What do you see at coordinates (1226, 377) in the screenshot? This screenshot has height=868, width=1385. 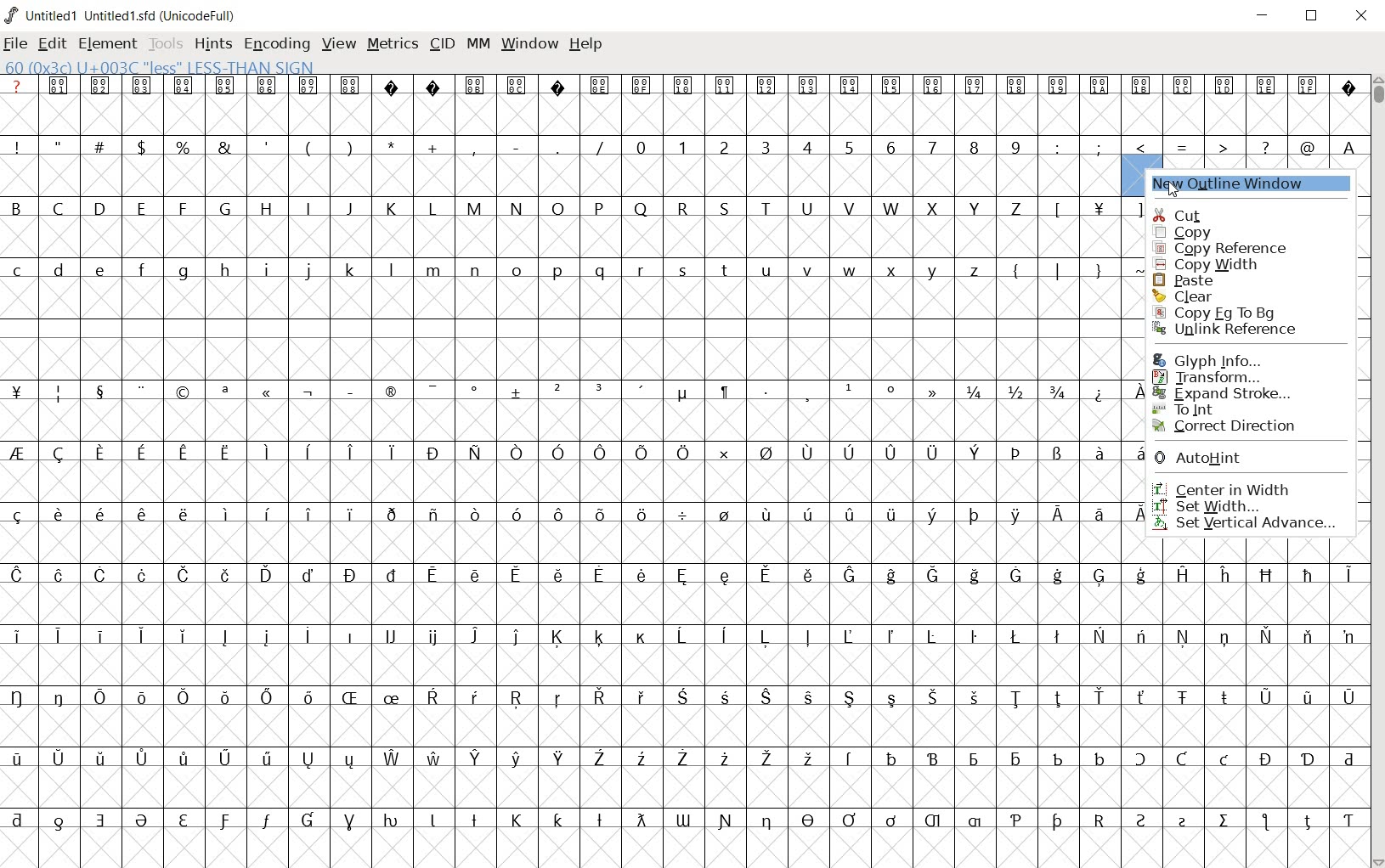 I see `Transform" width:80` at bounding box center [1226, 377].